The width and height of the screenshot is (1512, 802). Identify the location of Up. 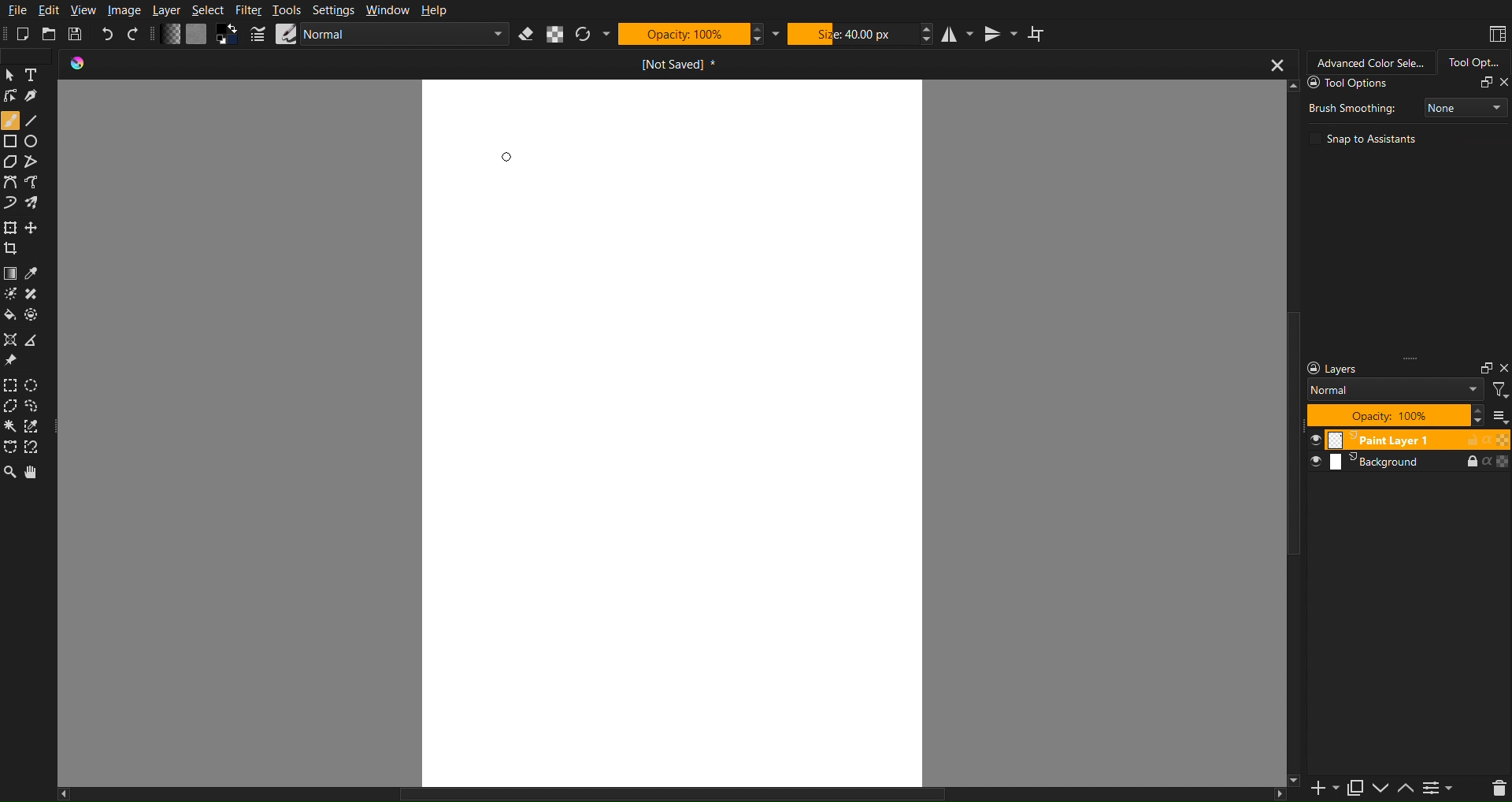
(1406, 789).